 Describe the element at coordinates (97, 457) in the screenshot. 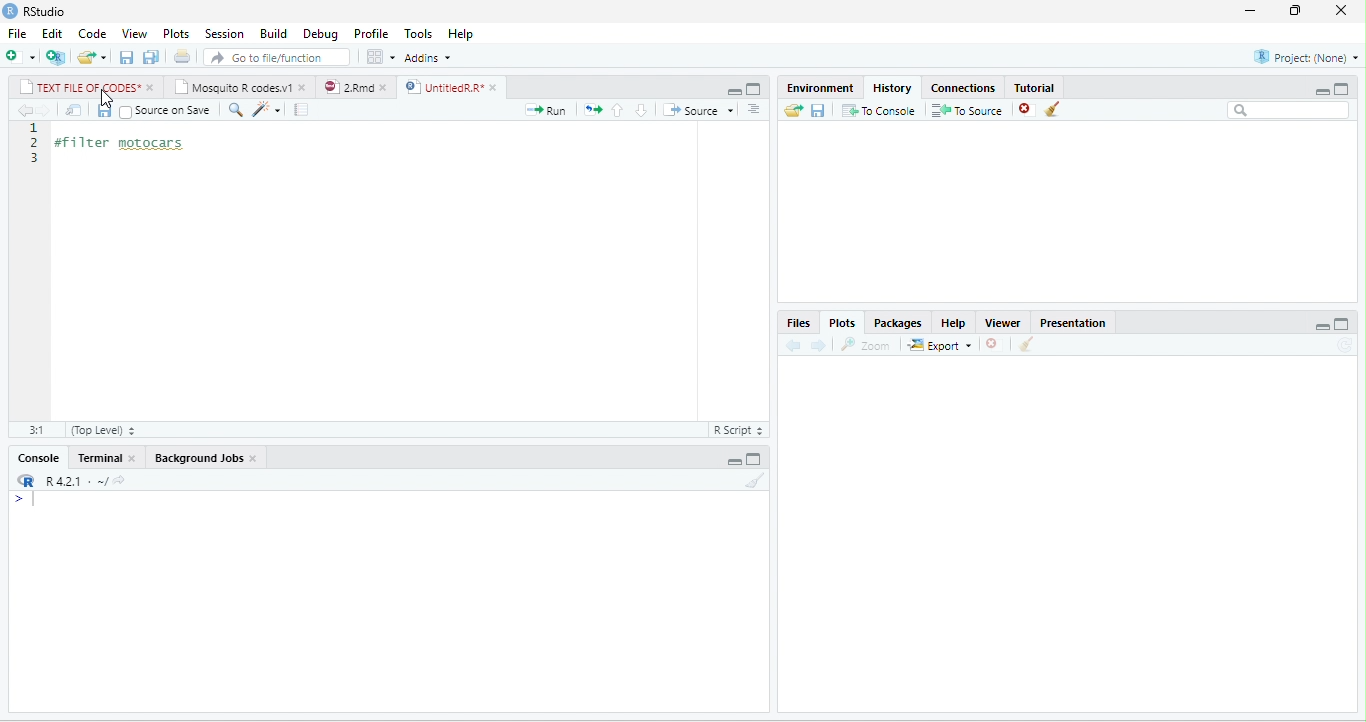

I see `Terminal` at that location.